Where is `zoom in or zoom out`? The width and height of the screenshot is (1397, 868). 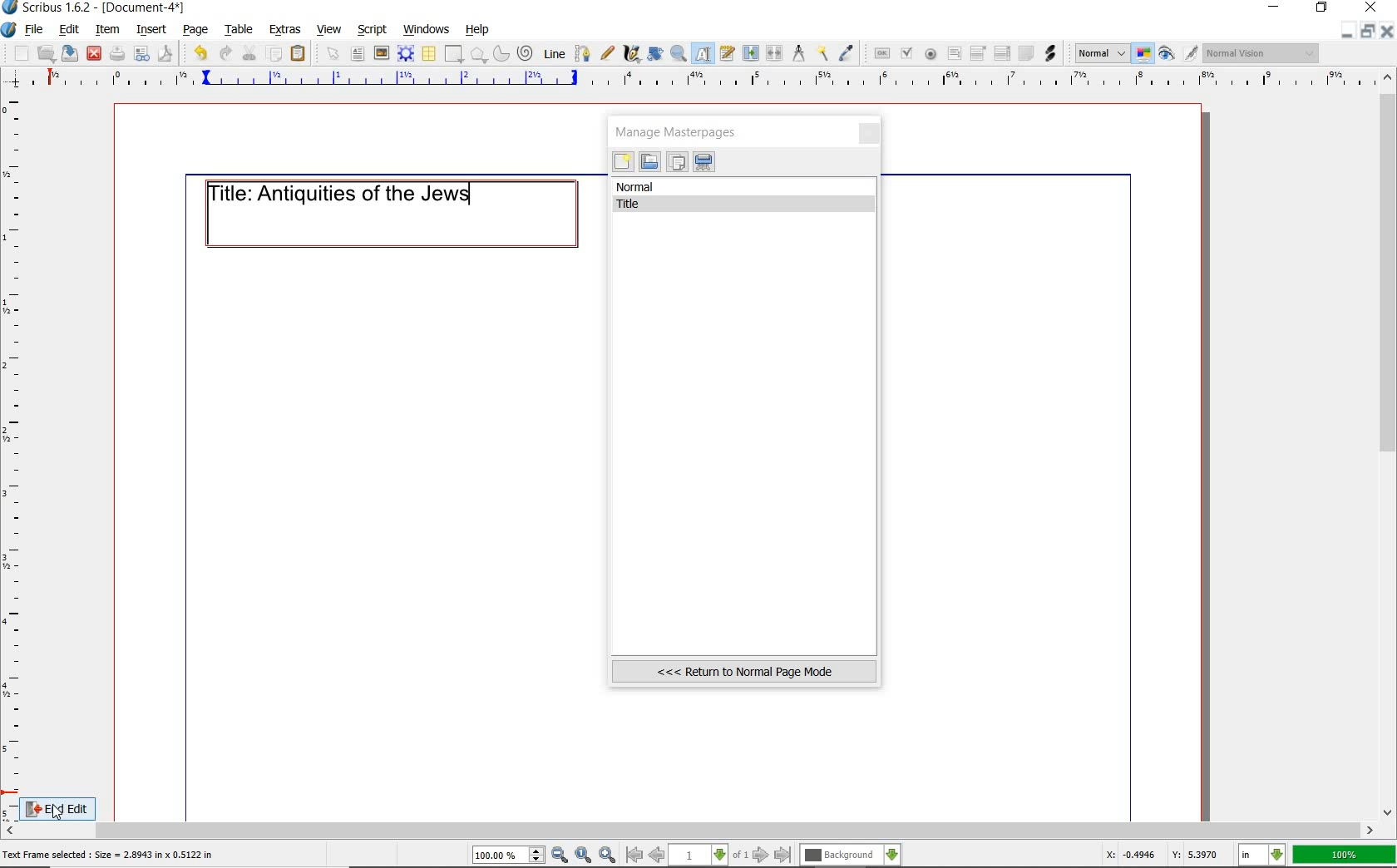 zoom in or zoom out is located at coordinates (679, 53).